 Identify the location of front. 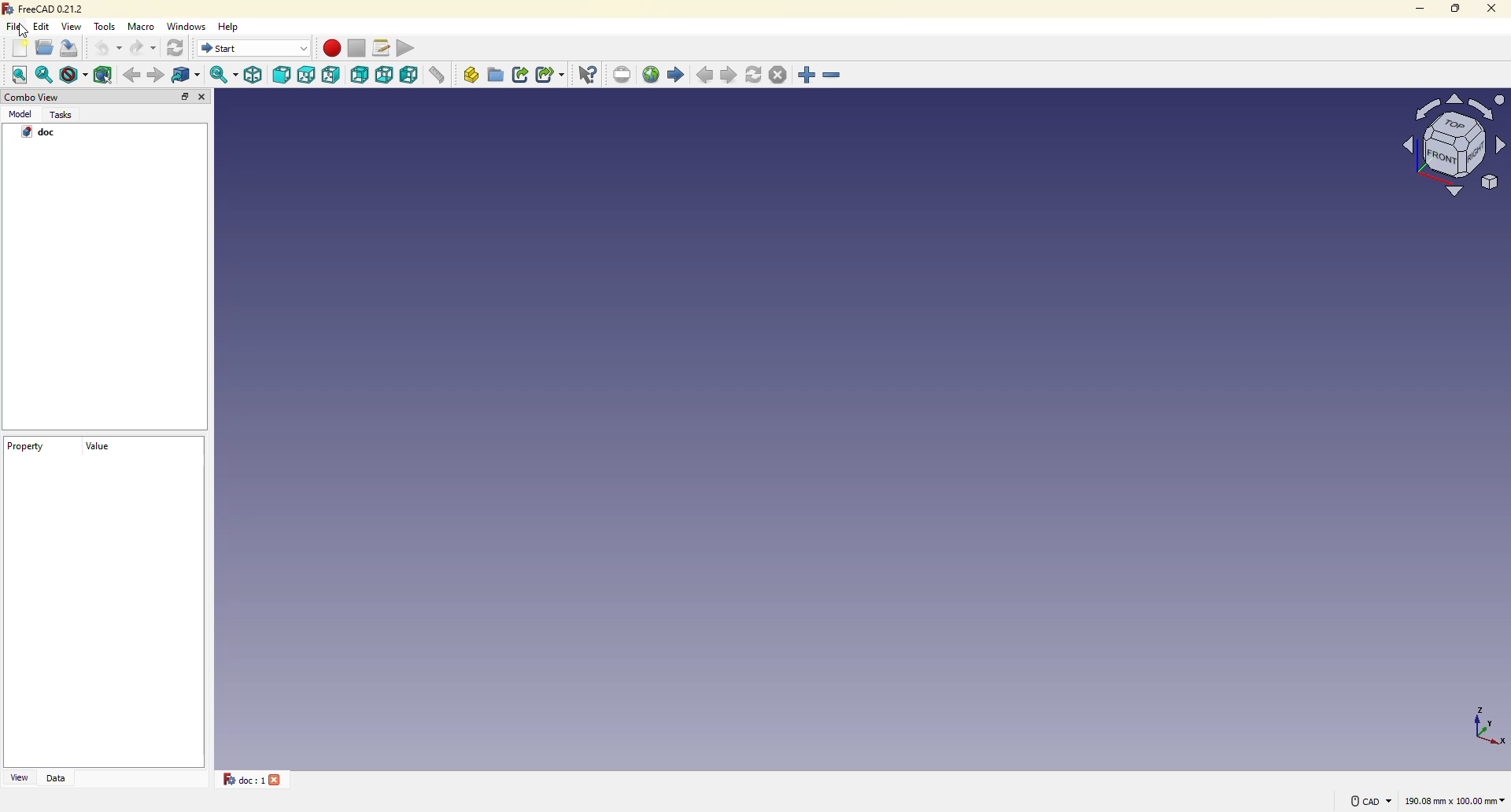
(283, 76).